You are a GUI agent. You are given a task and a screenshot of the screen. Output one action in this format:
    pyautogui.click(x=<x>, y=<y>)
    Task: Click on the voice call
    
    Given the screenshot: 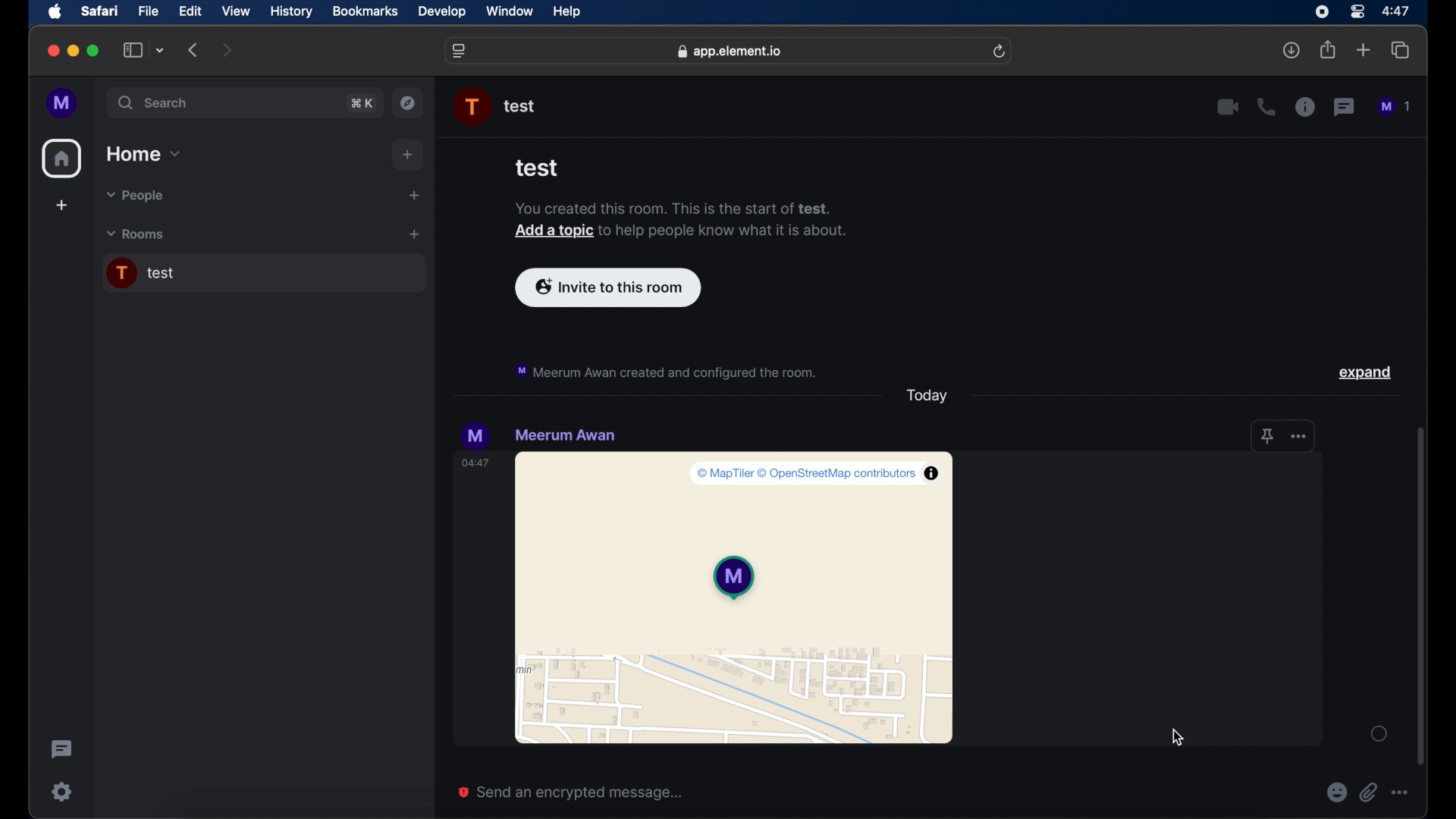 What is the action you would take?
    pyautogui.click(x=1266, y=107)
    